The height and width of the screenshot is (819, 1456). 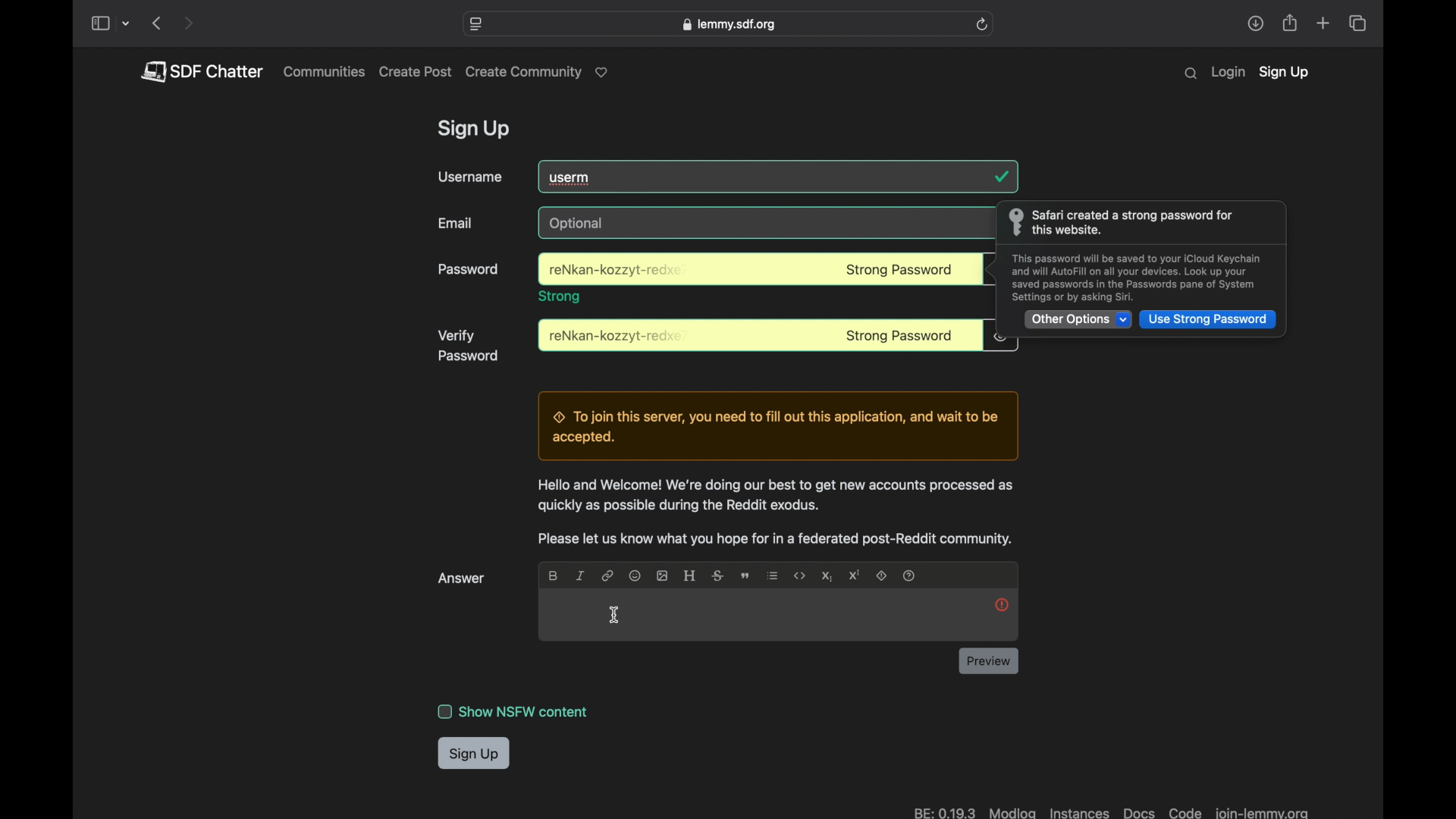 I want to click on email, so click(x=457, y=223).